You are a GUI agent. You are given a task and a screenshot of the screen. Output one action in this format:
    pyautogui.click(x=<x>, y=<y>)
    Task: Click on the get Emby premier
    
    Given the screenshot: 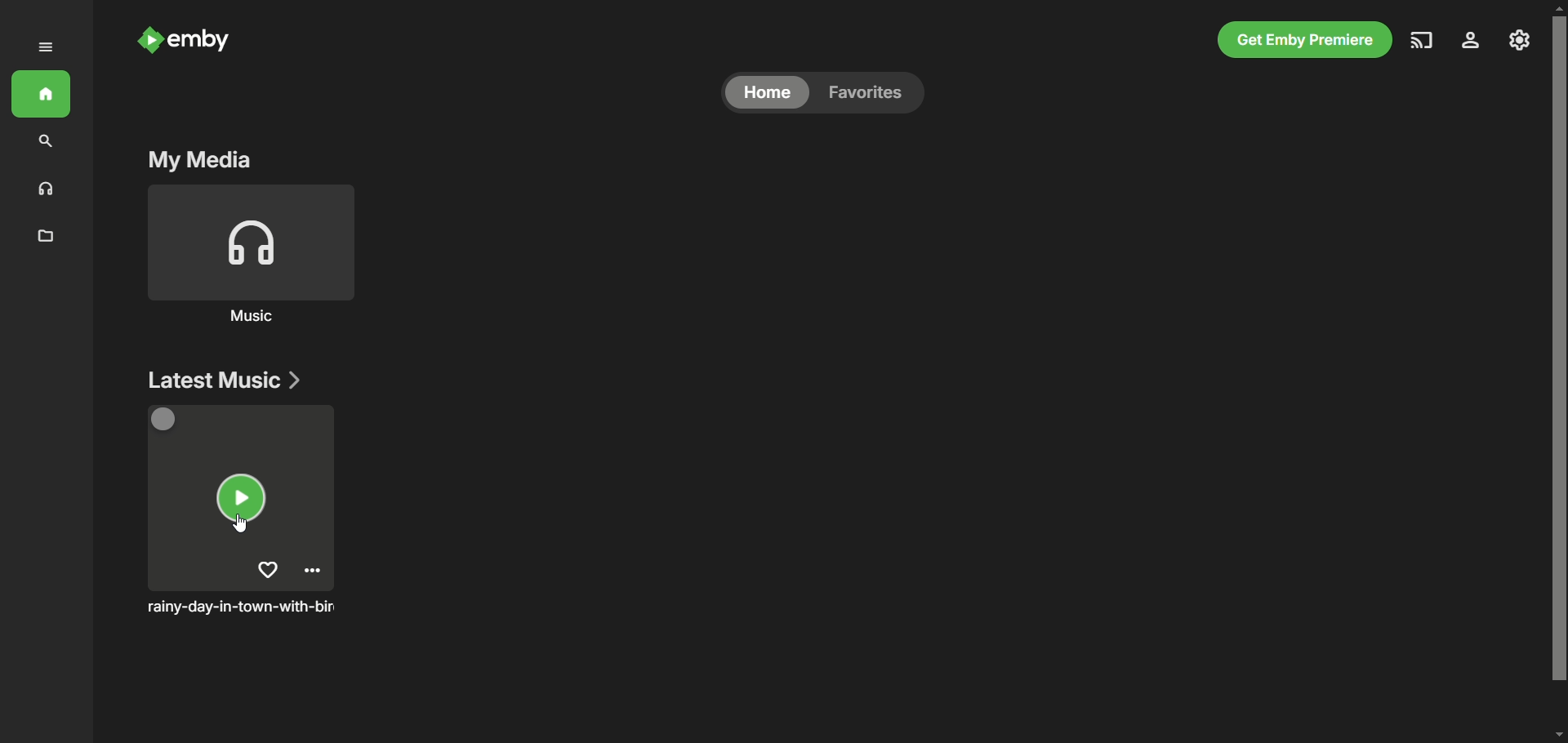 What is the action you would take?
    pyautogui.click(x=1306, y=39)
    